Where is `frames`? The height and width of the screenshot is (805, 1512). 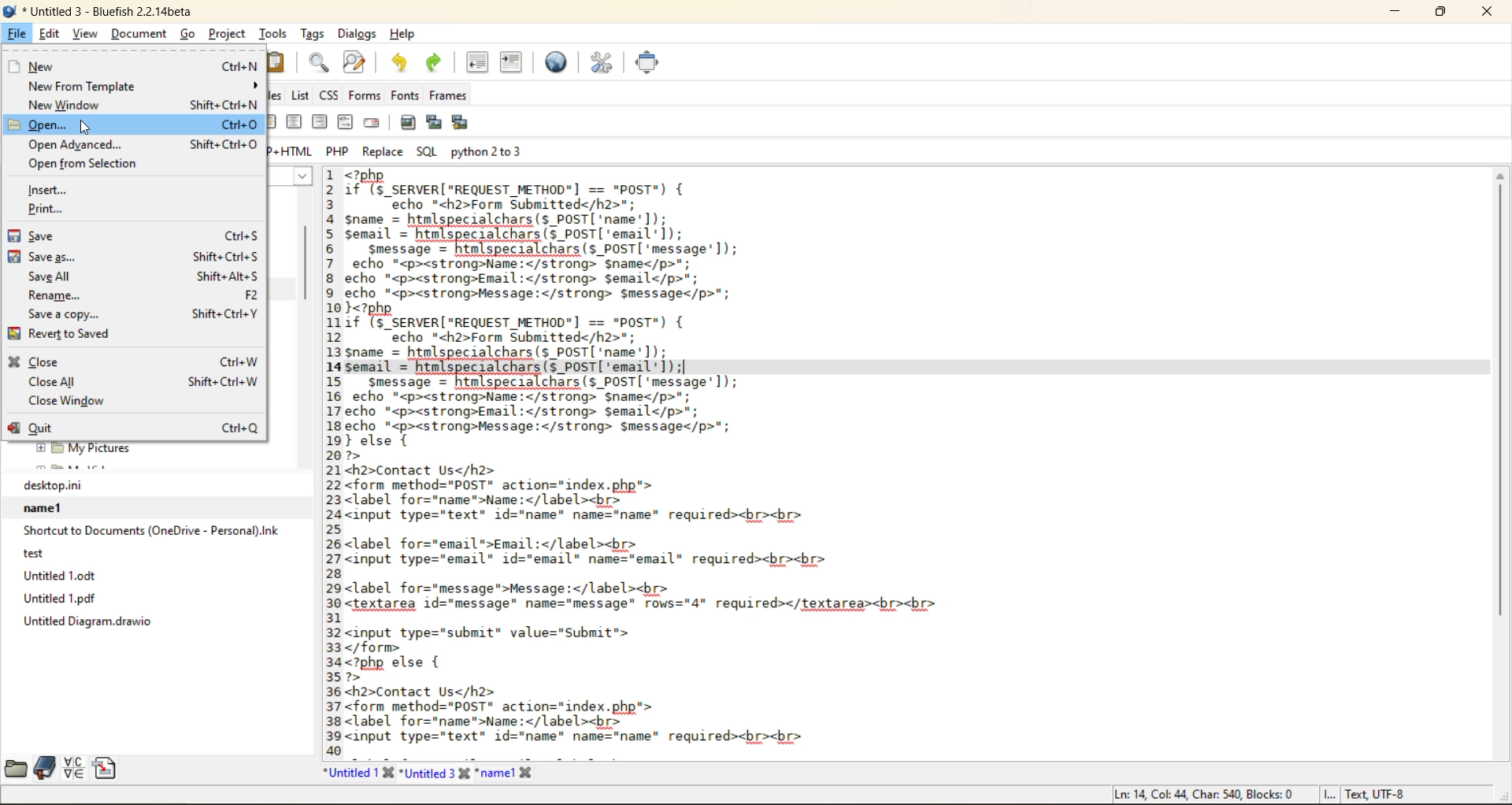 frames is located at coordinates (454, 95).